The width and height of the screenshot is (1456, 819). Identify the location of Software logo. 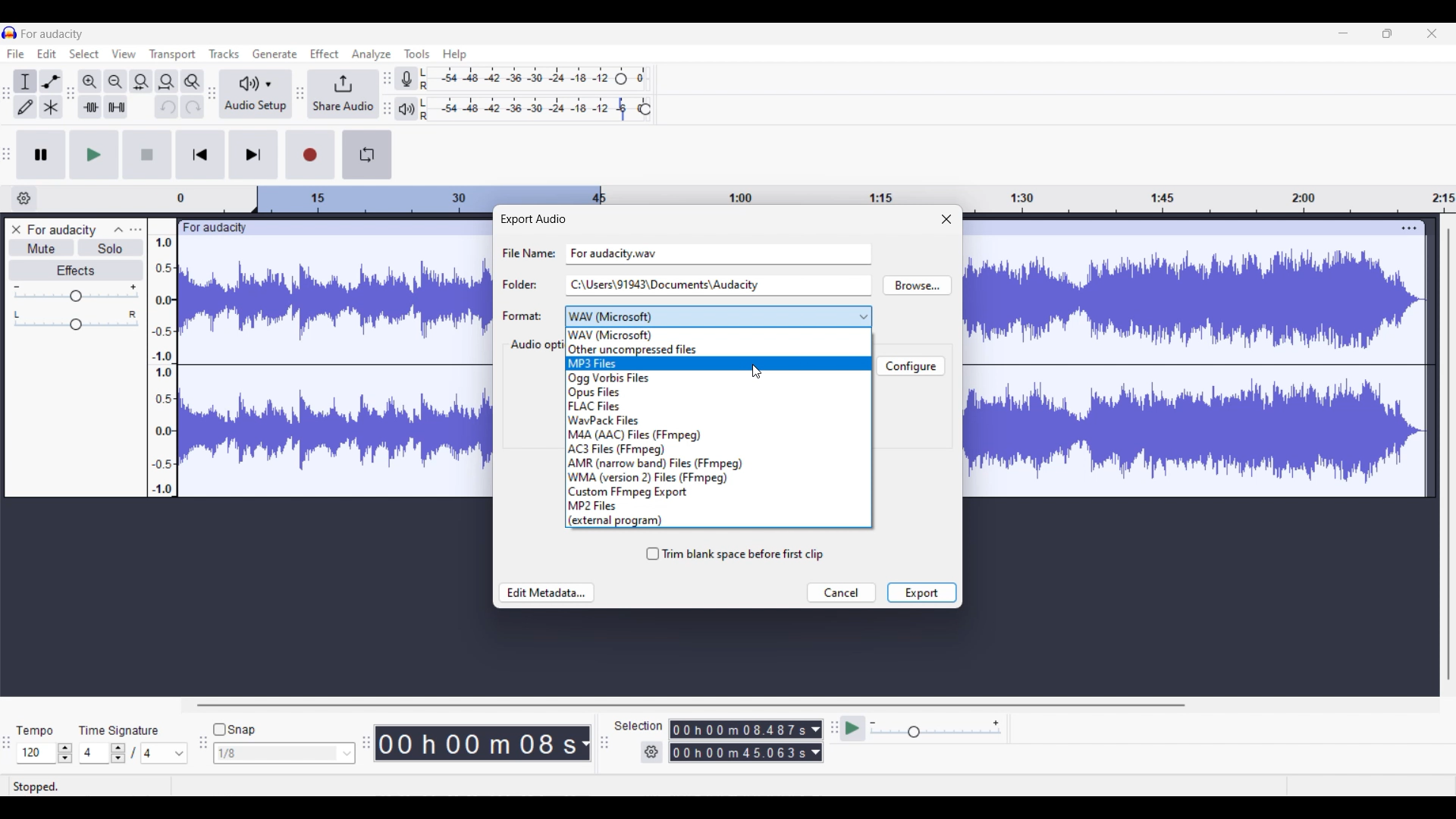
(10, 33).